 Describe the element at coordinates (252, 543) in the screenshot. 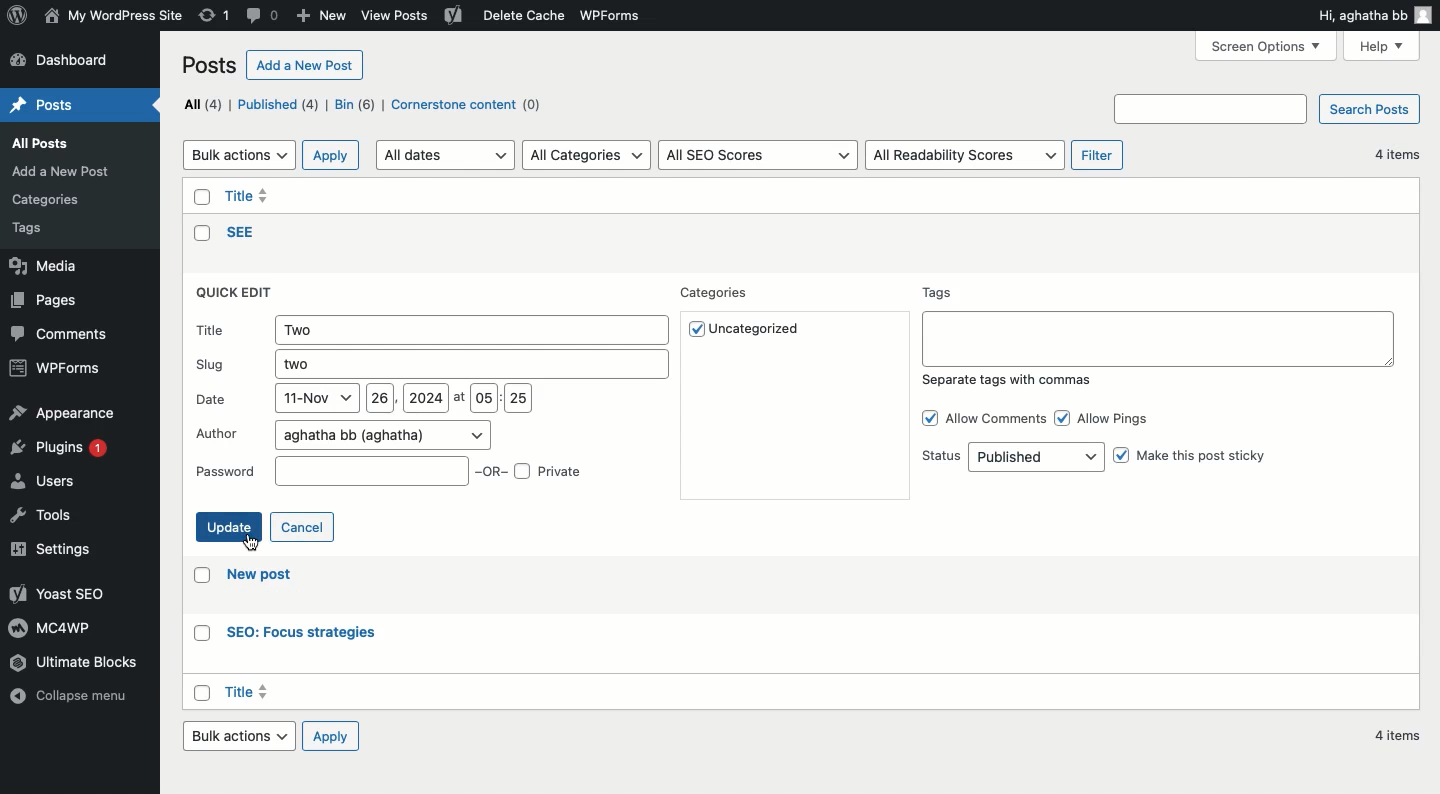

I see `cursor` at that location.